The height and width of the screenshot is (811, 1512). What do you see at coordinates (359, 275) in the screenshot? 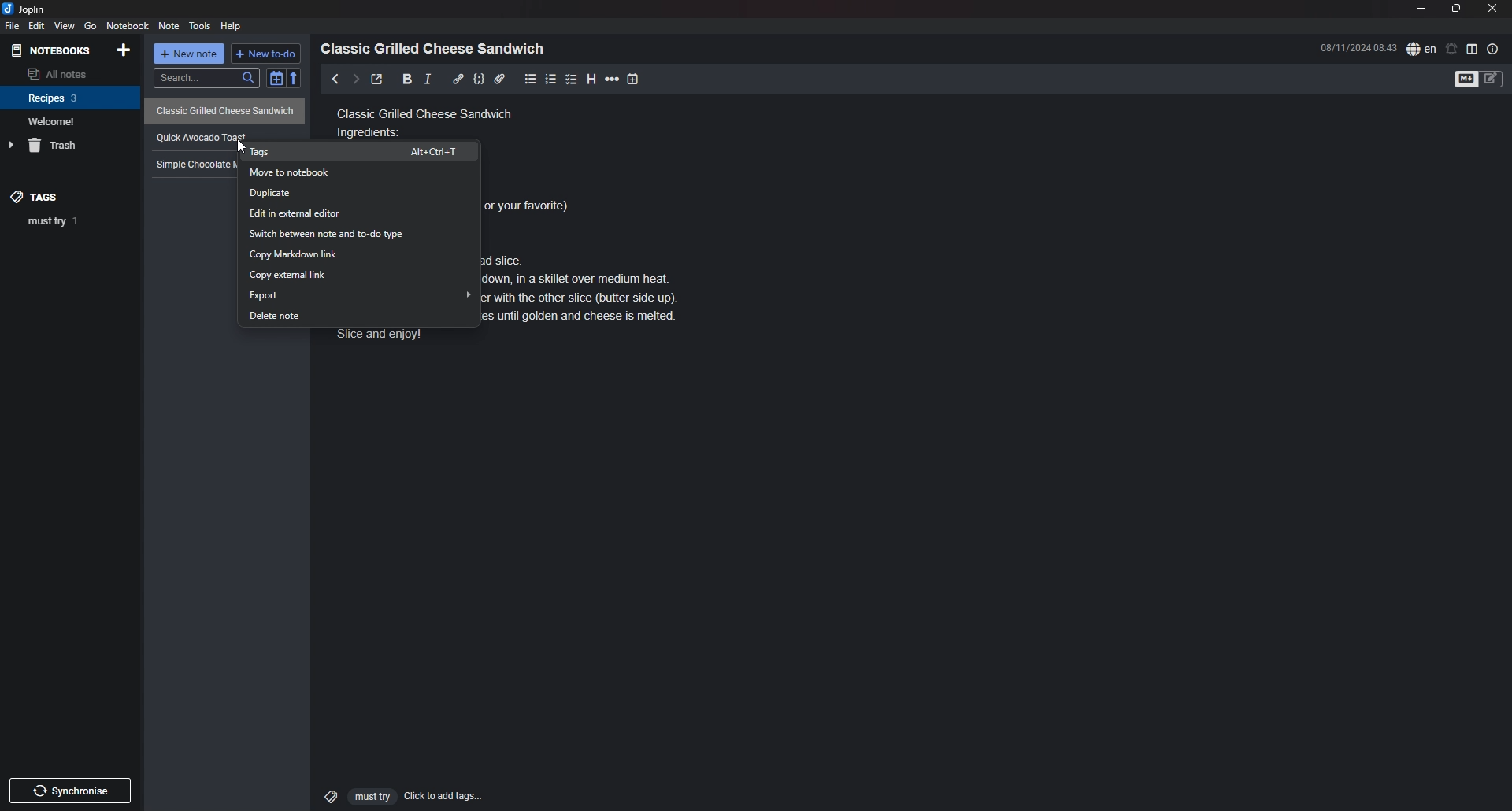
I see `copy external link` at bounding box center [359, 275].